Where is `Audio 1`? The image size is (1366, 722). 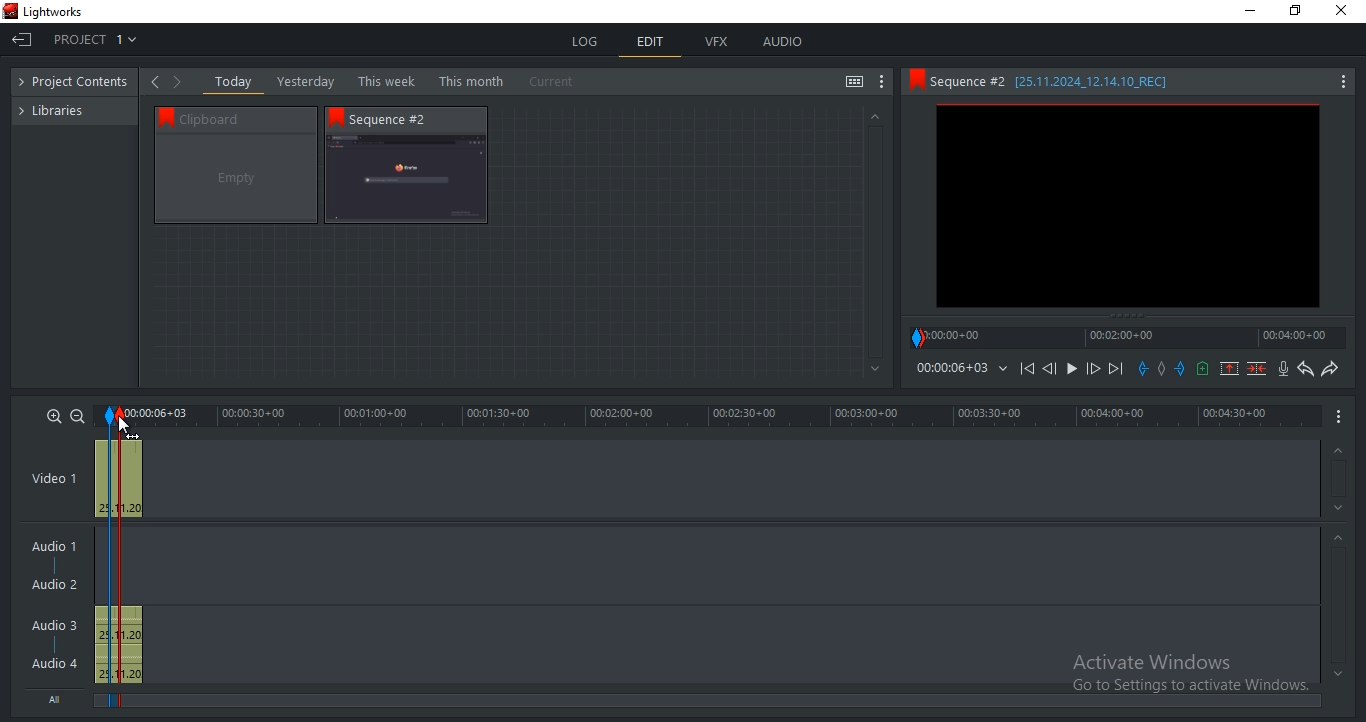
Audio 1 is located at coordinates (50, 548).